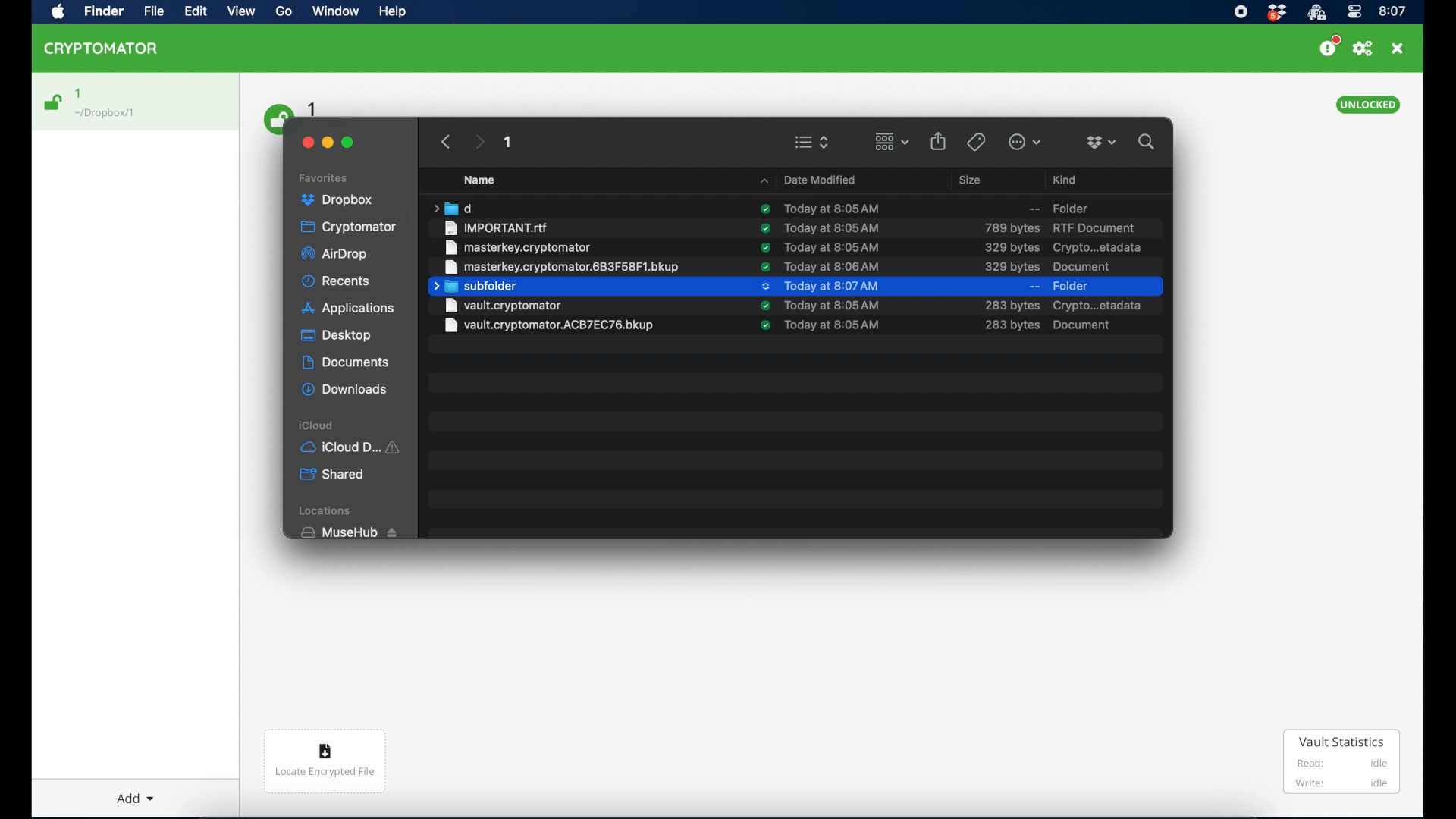  I want to click on subfolder, so click(474, 287).